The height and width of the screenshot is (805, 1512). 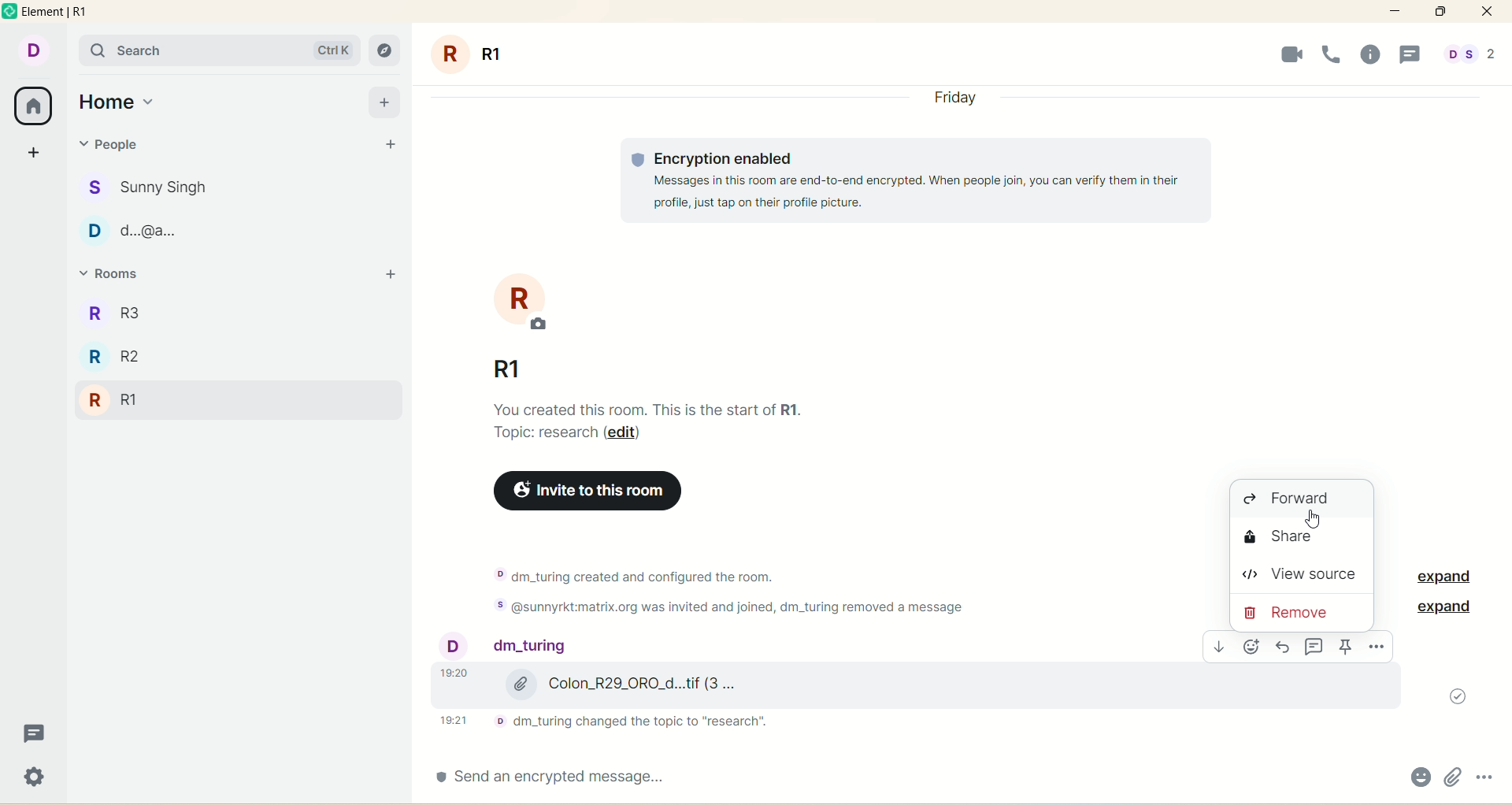 I want to click on logo, so click(x=11, y=14).